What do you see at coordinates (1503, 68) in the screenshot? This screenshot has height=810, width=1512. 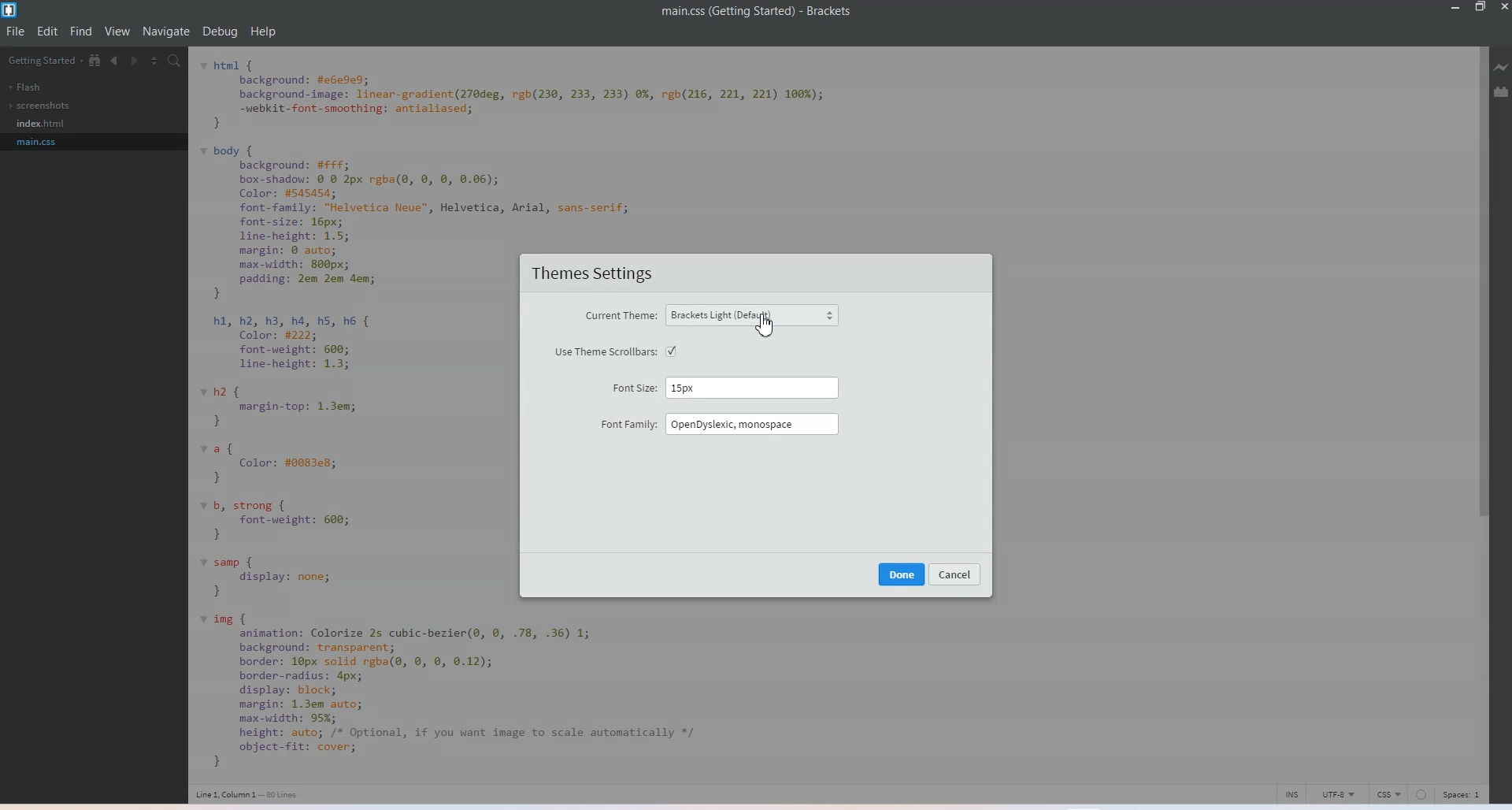 I see `Live Preview` at bounding box center [1503, 68].